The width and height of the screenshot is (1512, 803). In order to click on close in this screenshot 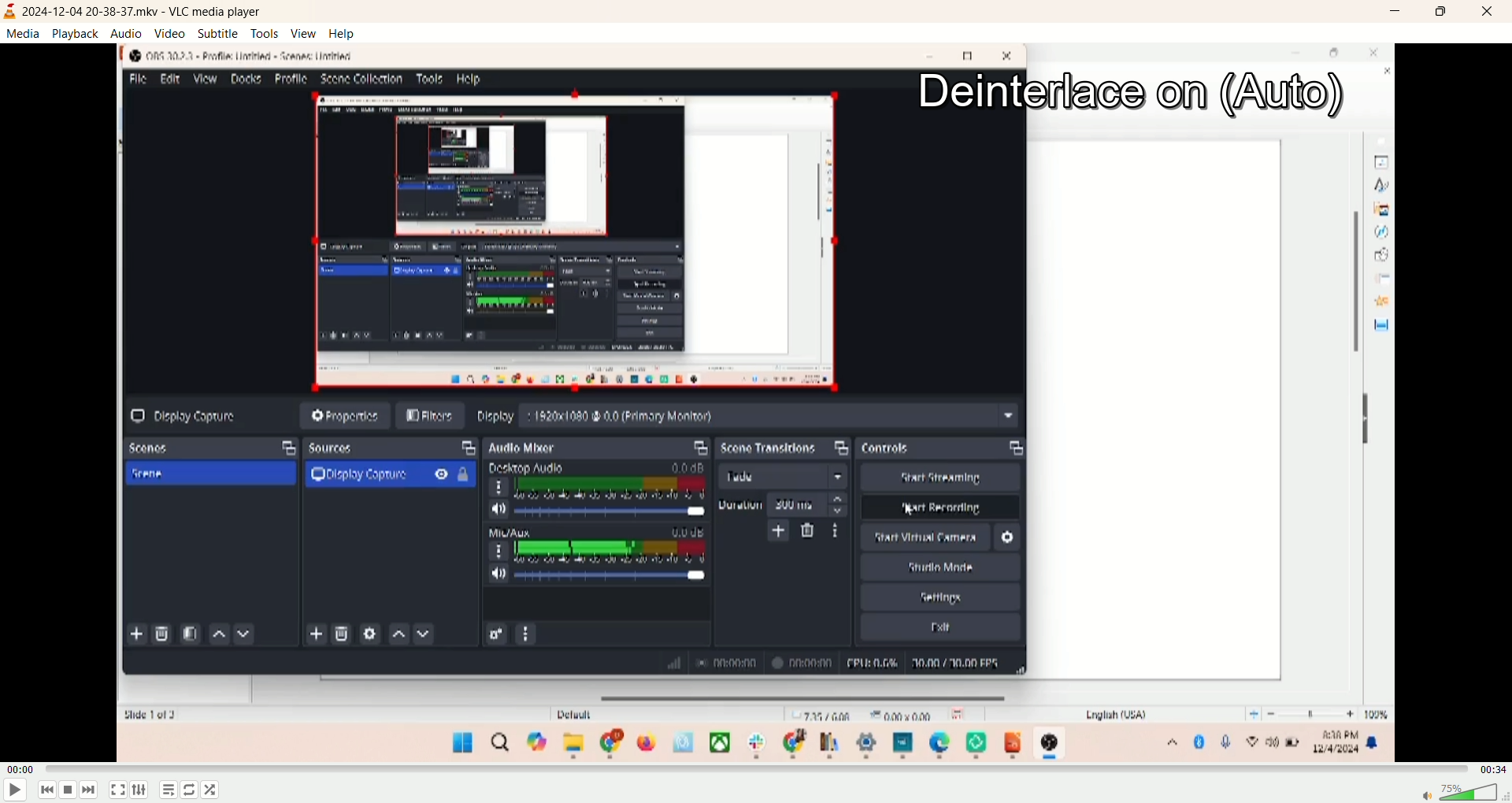, I will do `click(1482, 13)`.